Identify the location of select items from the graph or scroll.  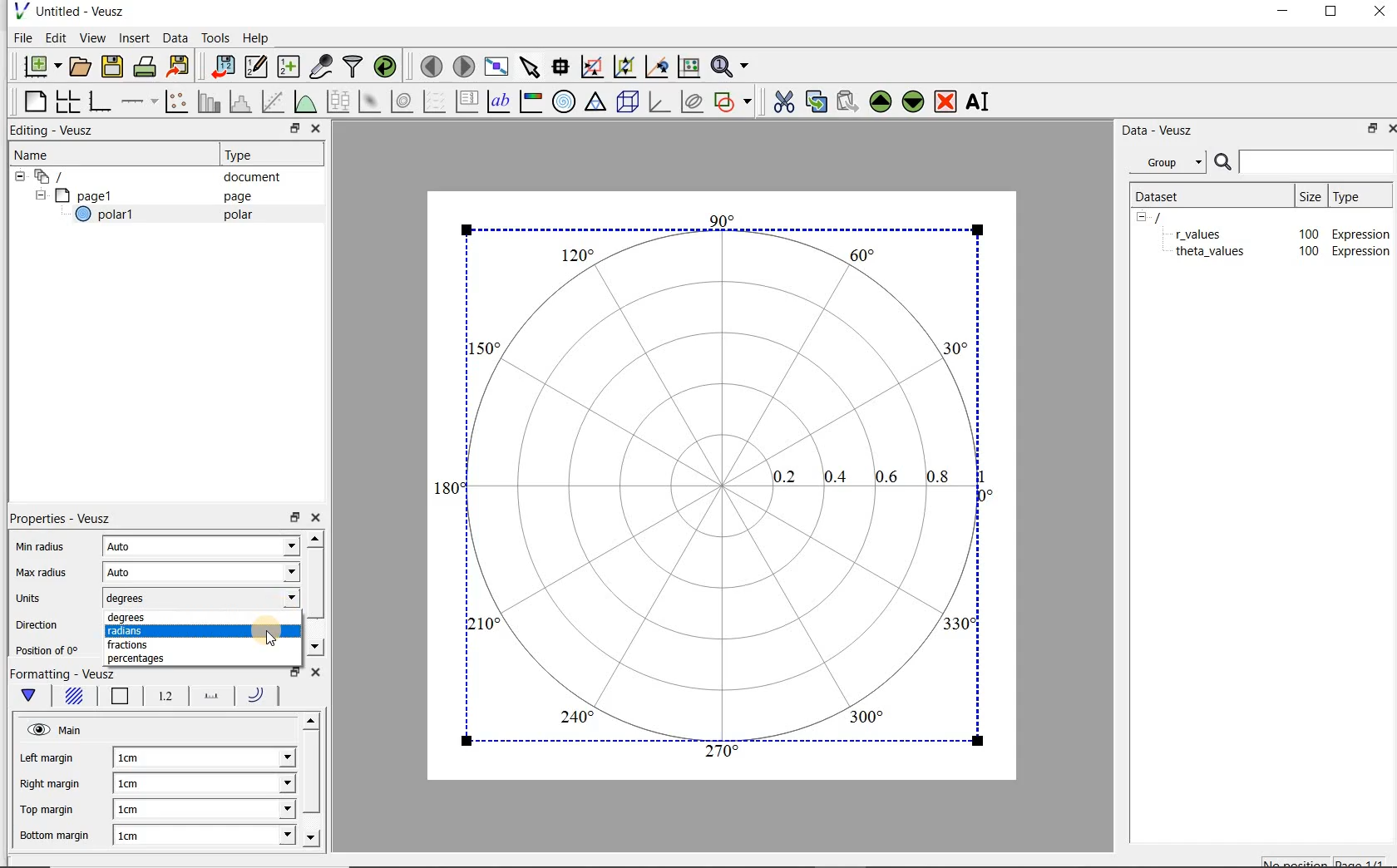
(529, 65).